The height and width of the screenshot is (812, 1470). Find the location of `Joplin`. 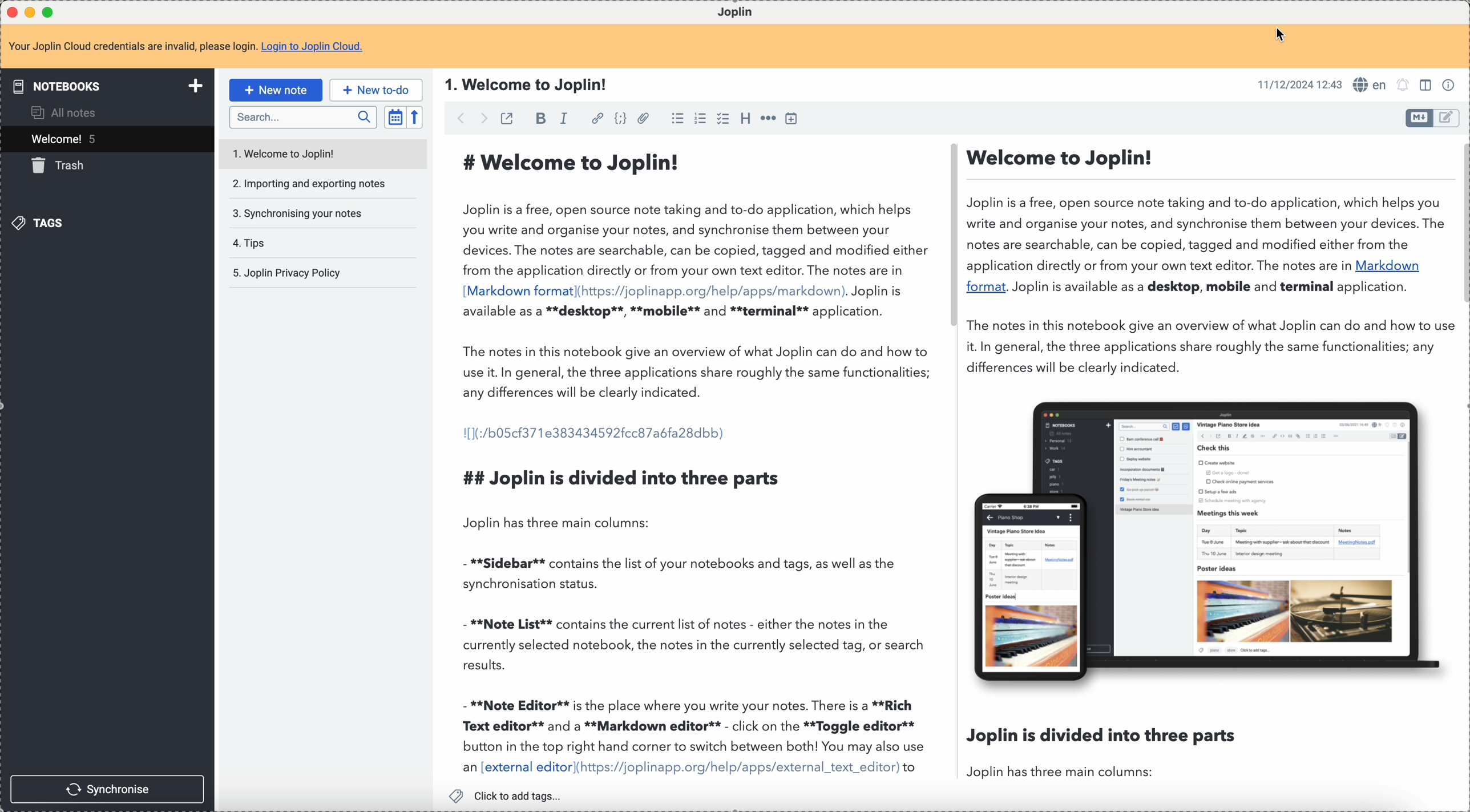

Joplin is located at coordinates (736, 11).